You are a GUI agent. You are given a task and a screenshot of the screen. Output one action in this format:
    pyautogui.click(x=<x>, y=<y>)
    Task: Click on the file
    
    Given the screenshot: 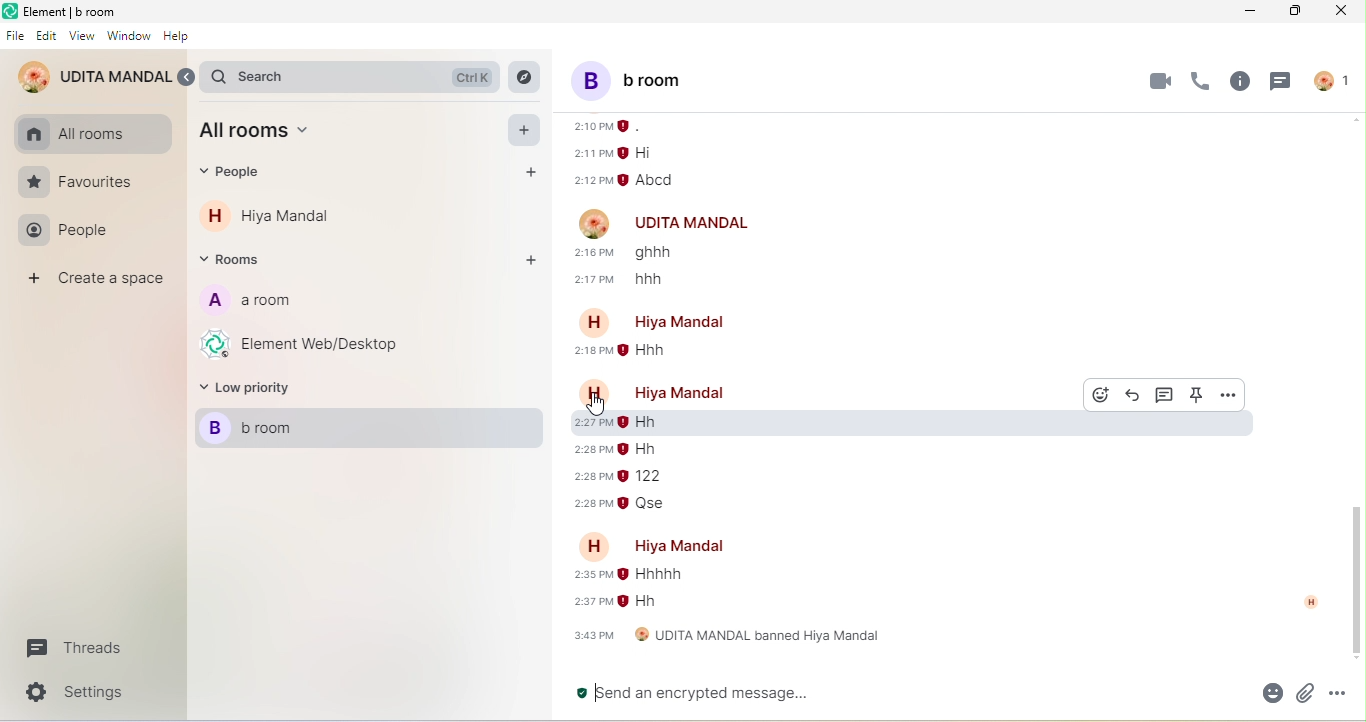 What is the action you would take?
    pyautogui.click(x=15, y=37)
    